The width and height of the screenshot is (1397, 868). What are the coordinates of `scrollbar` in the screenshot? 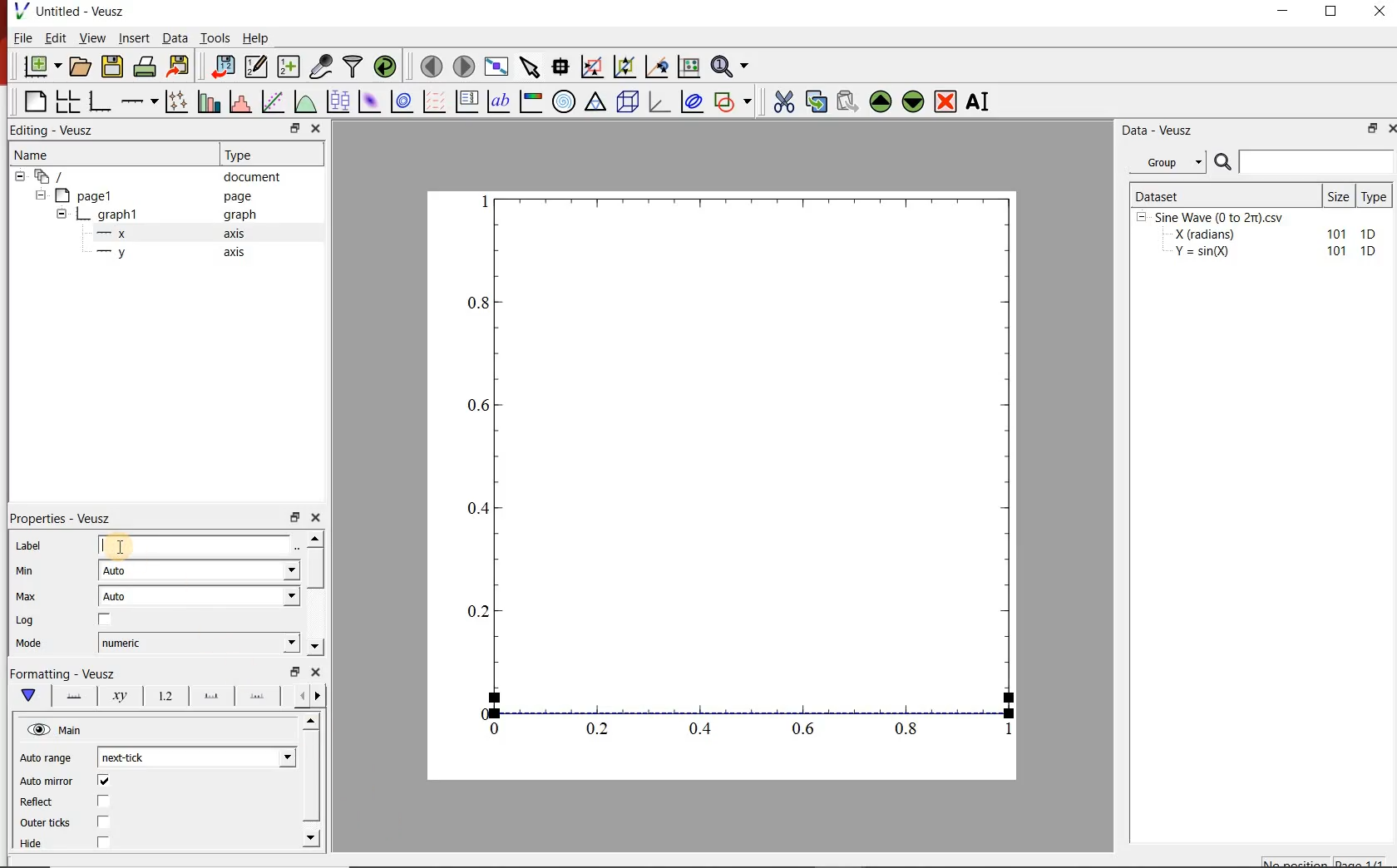 It's located at (317, 570).